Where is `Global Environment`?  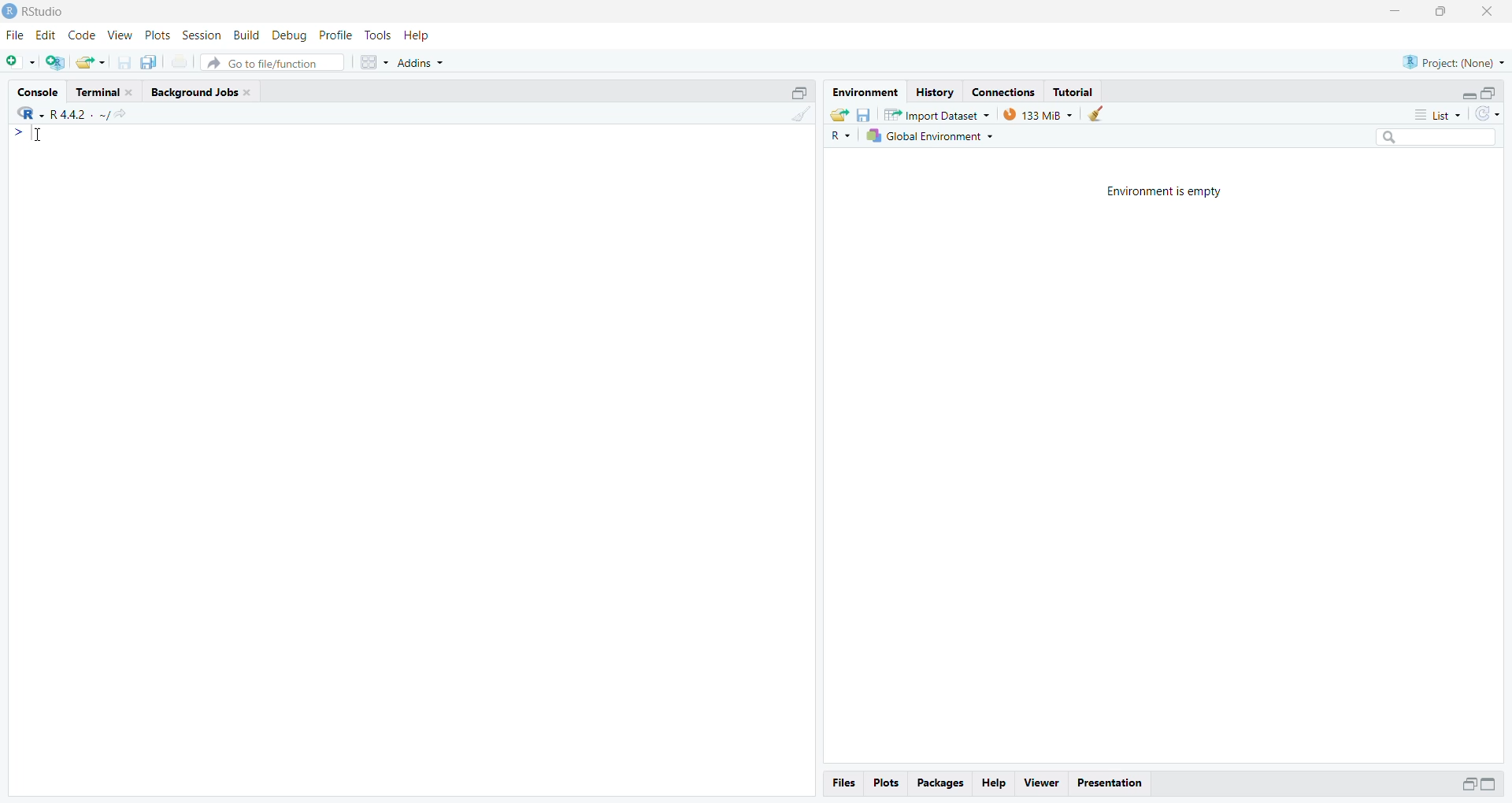 Global Environment is located at coordinates (932, 139).